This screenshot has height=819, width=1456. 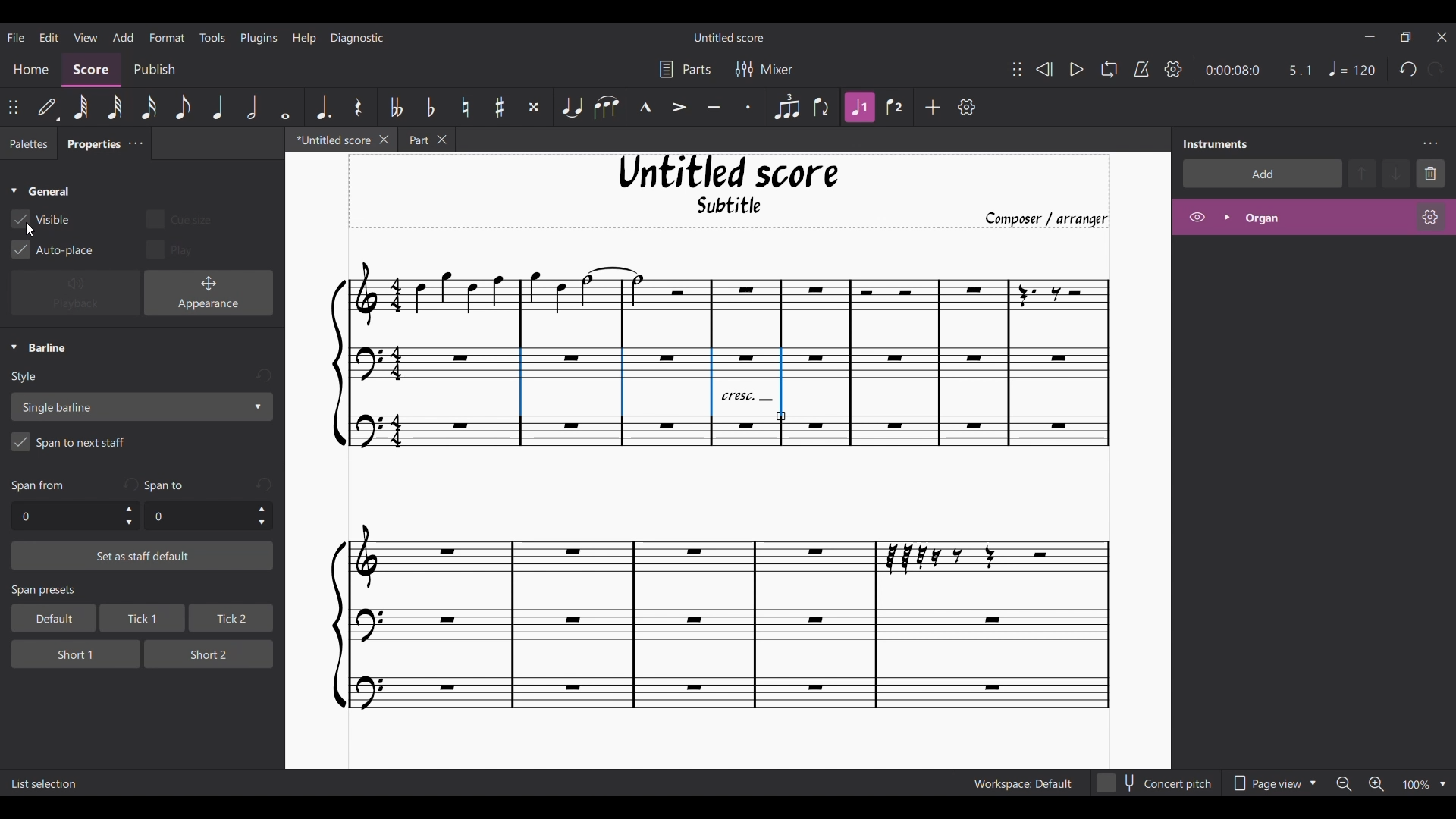 What do you see at coordinates (53, 249) in the screenshot?
I see `Toggle for Auto-place` at bounding box center [53, 249].